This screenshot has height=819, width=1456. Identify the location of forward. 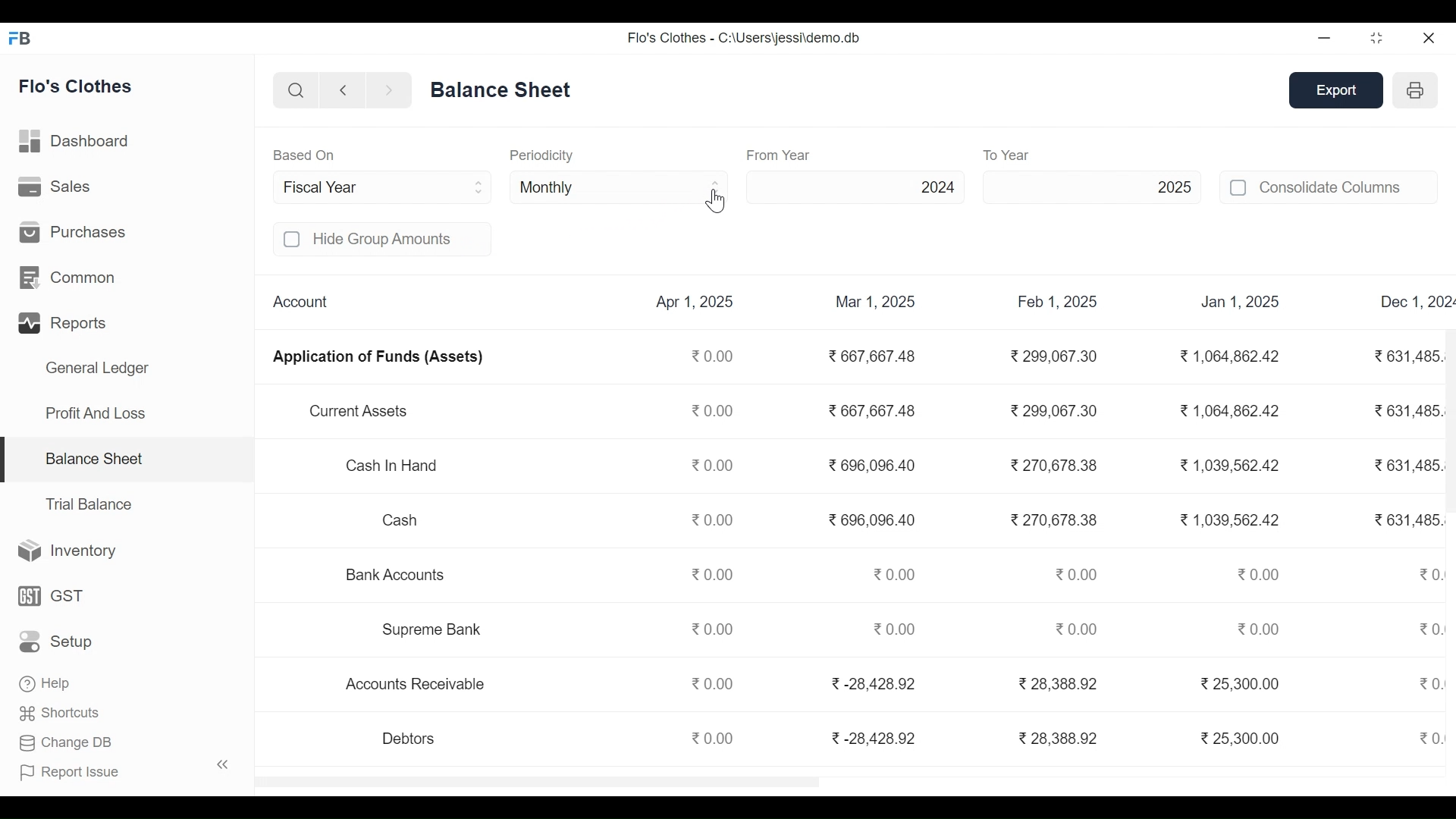
(389, 91).